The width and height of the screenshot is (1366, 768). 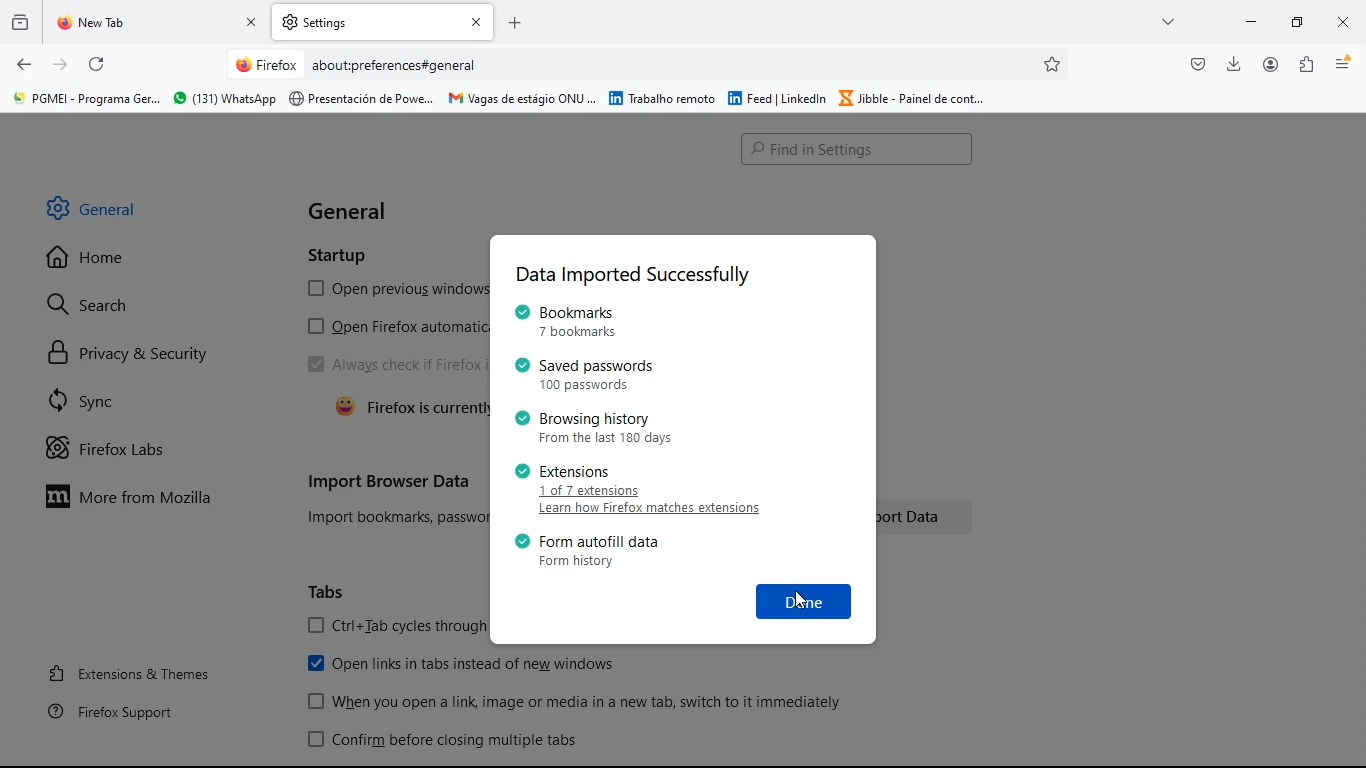 I want to click on When you open a link image or media in a new tab, switch to it immediately, so click(x=579, y=702).